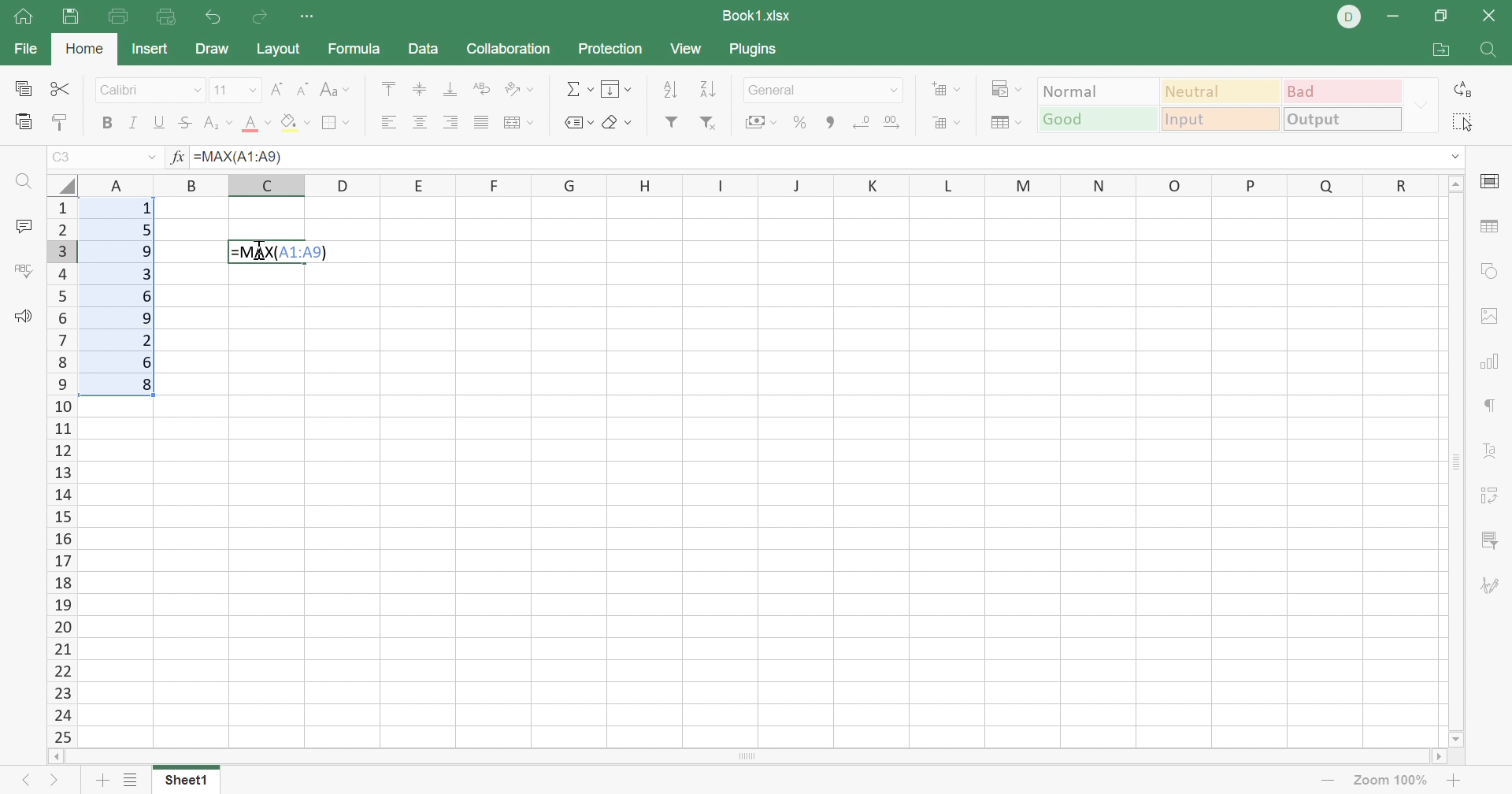 Image resolution: width=1512 pixels, height=794 pixels. Describe the element at coordinates (61, 121) in the screenshot. I see `Copy style` at that location.